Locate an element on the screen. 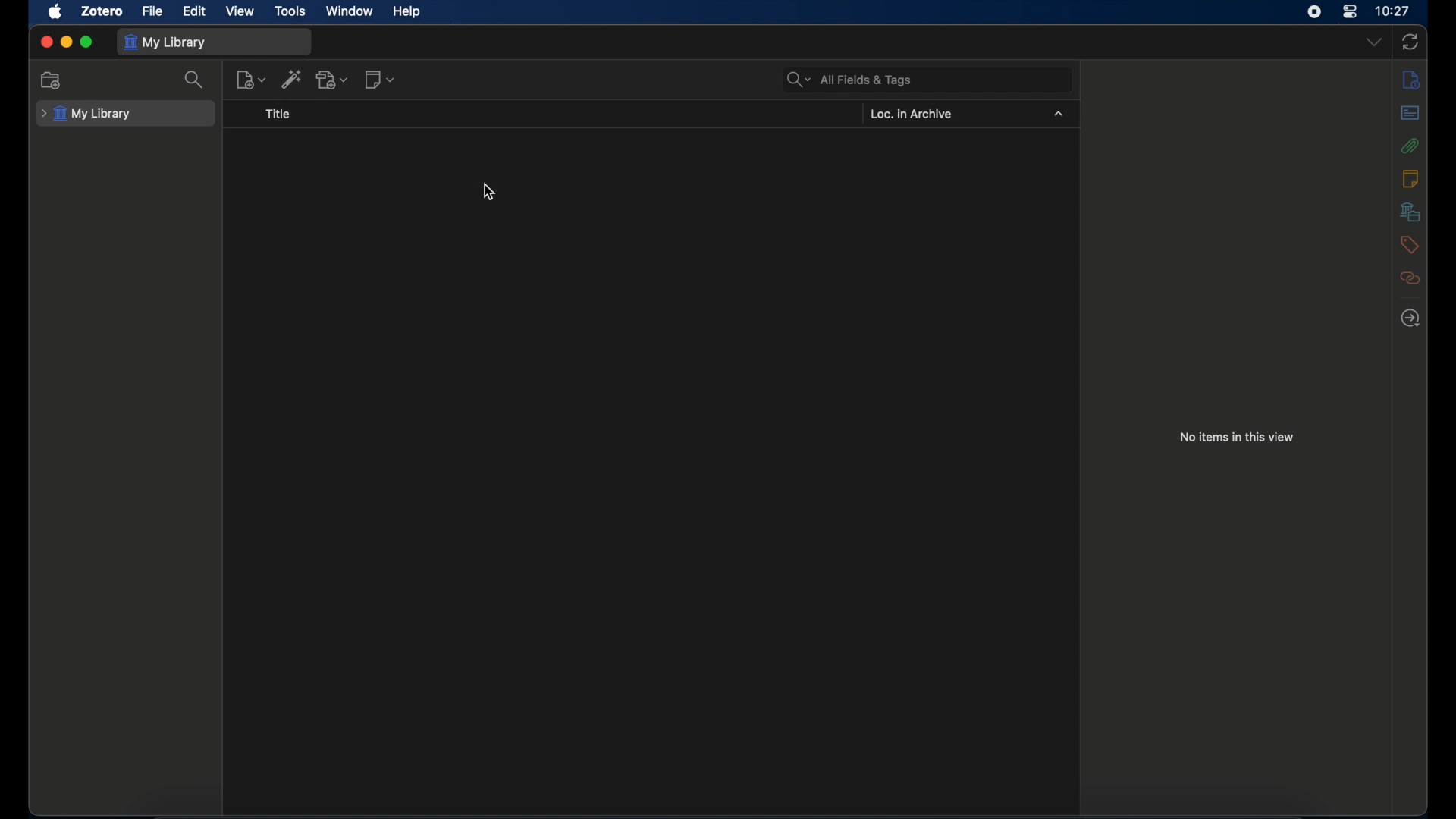 This screenshot has height=819, width=1456. window is located at coordinates (350, 11).